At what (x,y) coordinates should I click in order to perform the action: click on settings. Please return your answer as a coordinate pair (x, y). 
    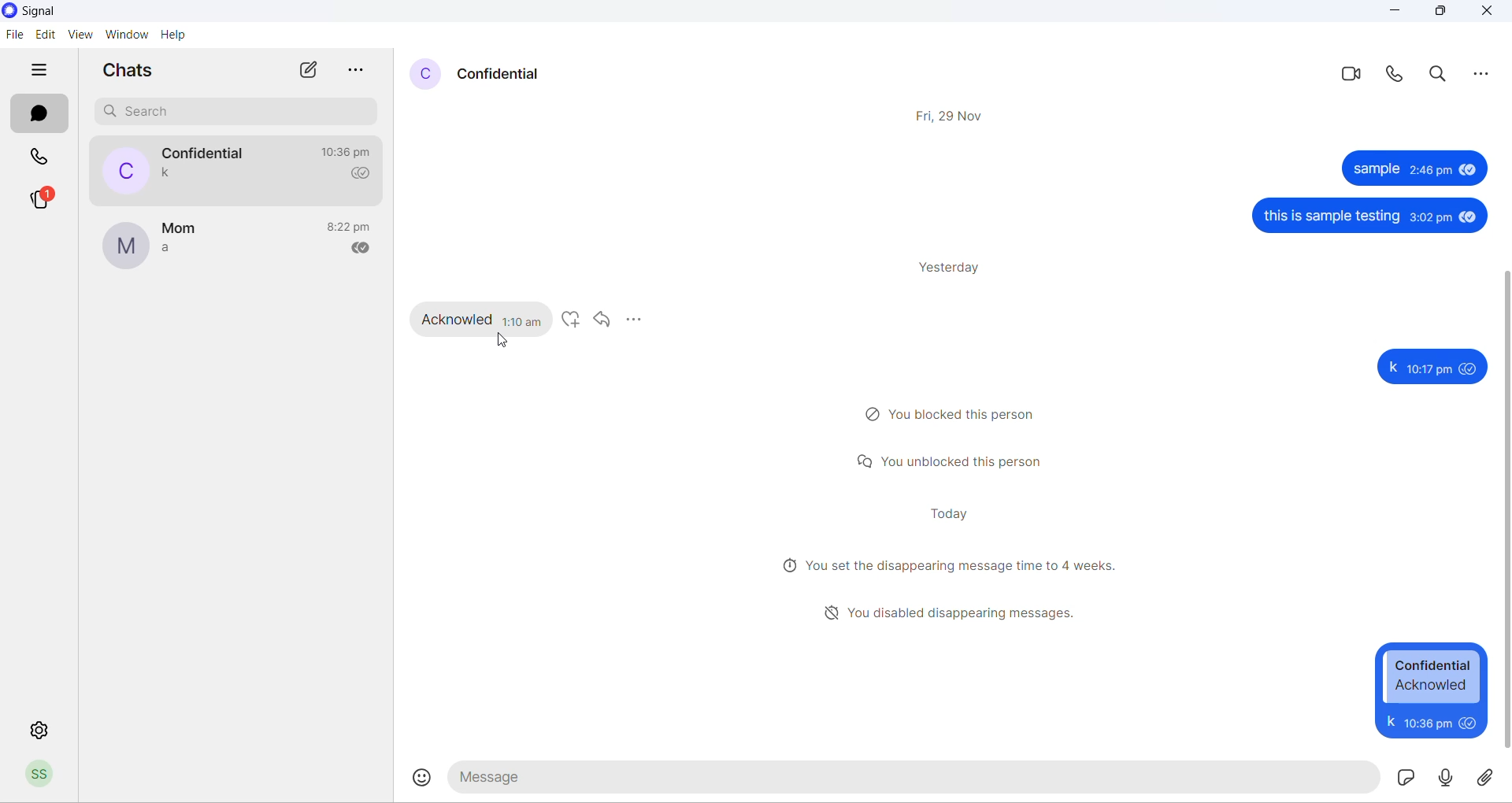
    Looking at the image, I should click on (42, 727).